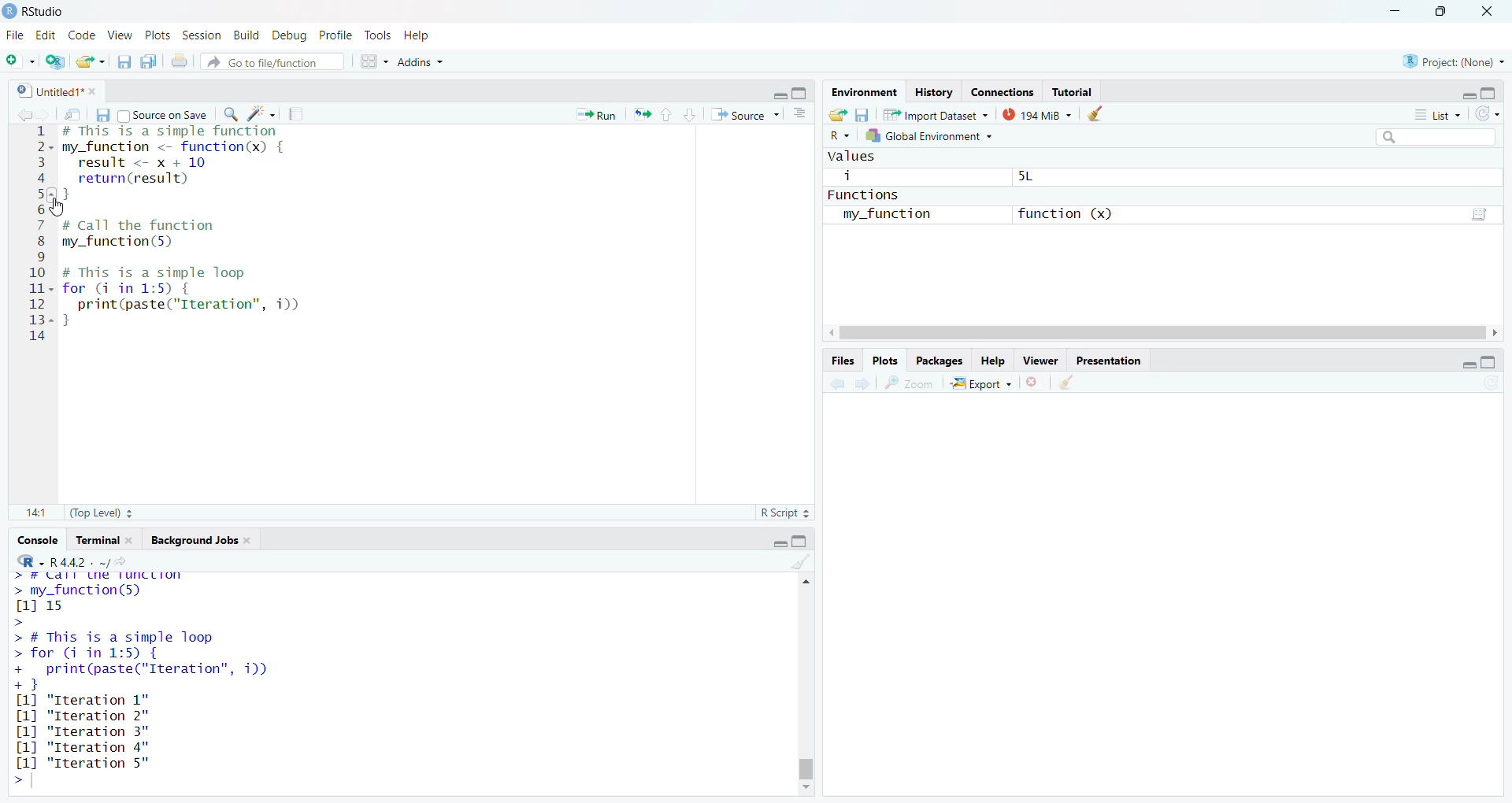 This screenshot has height=803, width=1512. Describe the element at coordinates (187, 296) in the screenshot. I see `code of a simple loop` at that location.